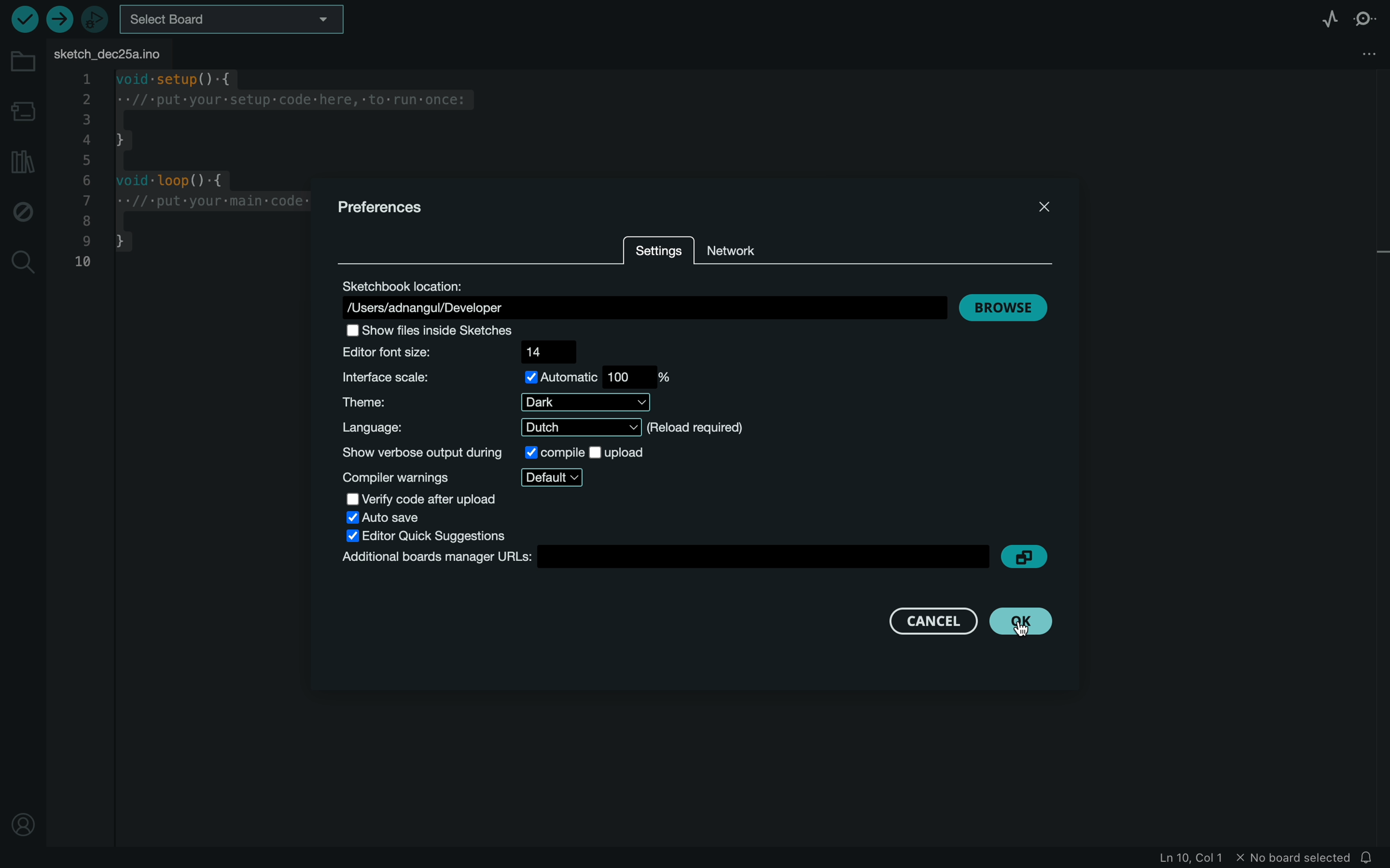 Image resolution: width=1390 pixels, height=868 pixels. Describe the element at coordinates (1237, 859) in the screenshot. I see `file  infomation` at that location.